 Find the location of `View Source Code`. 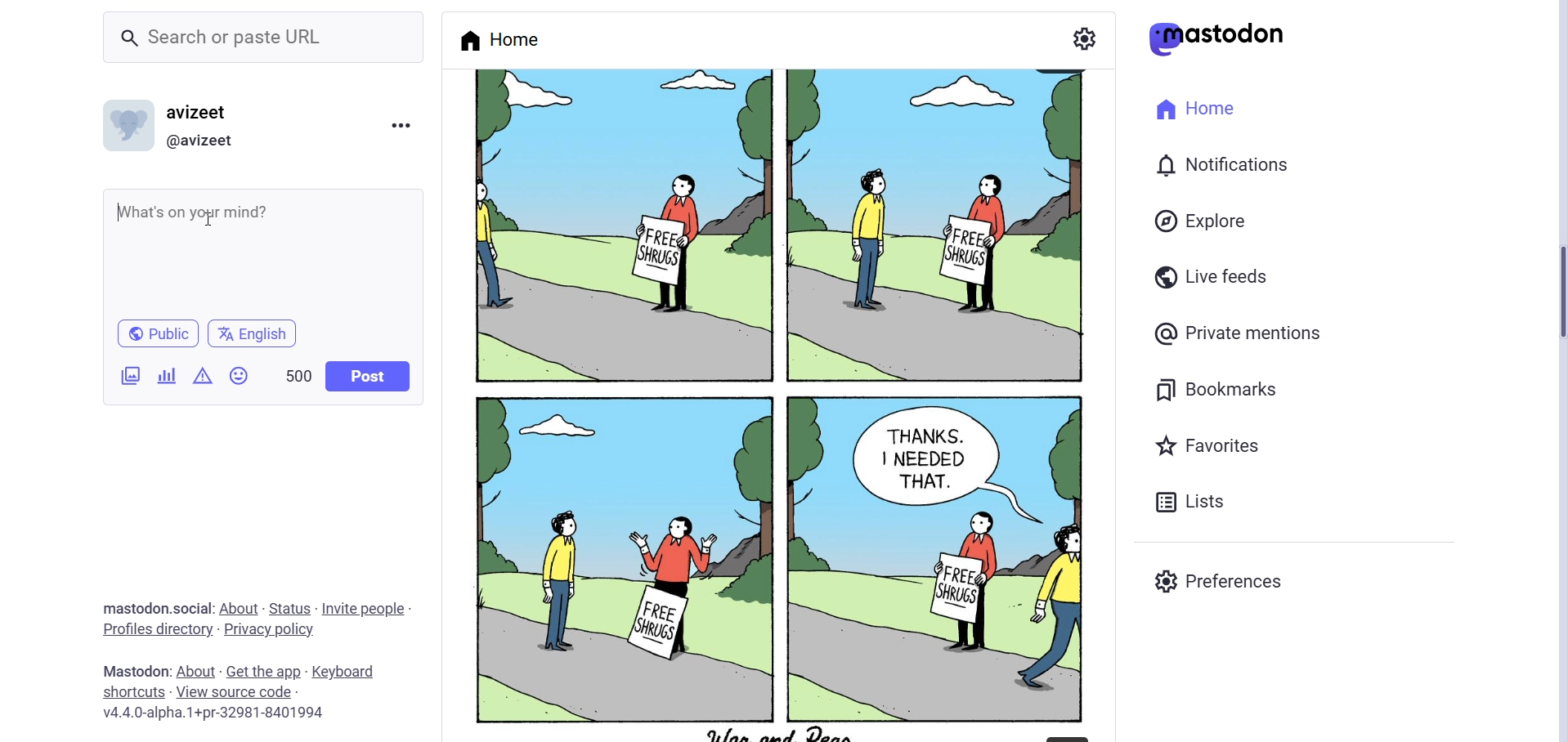

View Source Code is located at coordinates (238, 691).